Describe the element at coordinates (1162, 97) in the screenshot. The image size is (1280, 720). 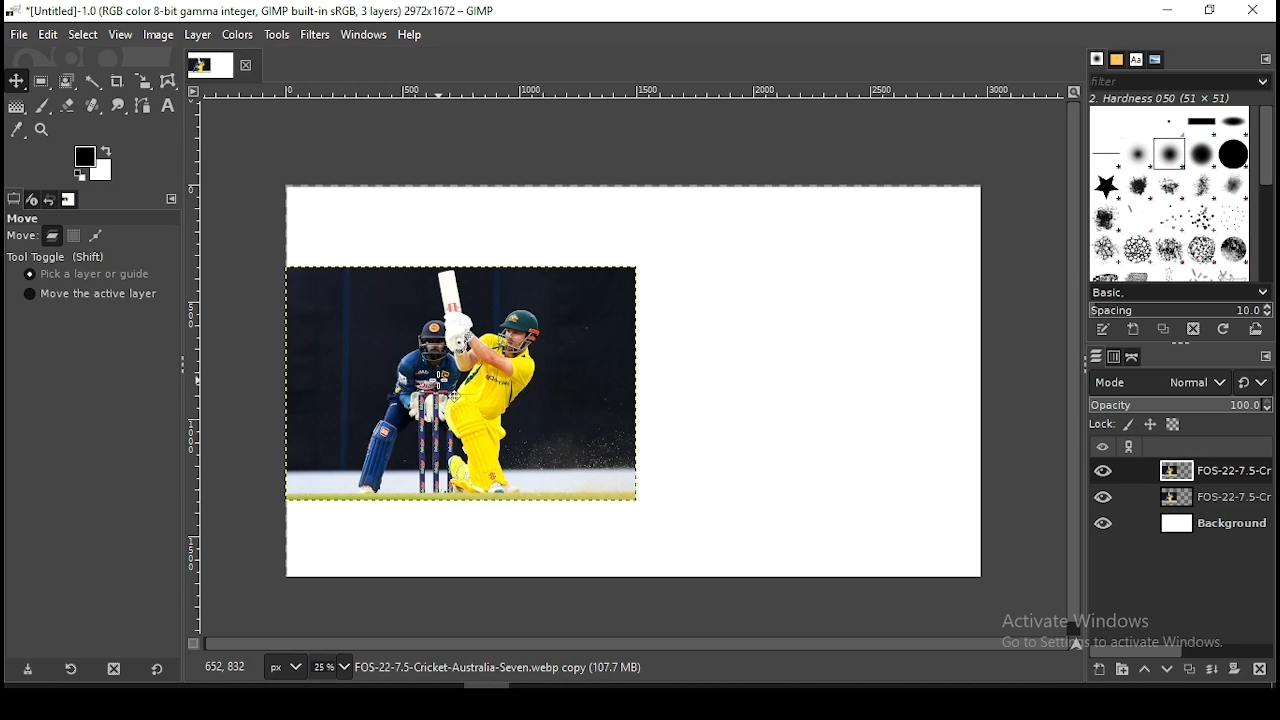
I see `text` at that location.